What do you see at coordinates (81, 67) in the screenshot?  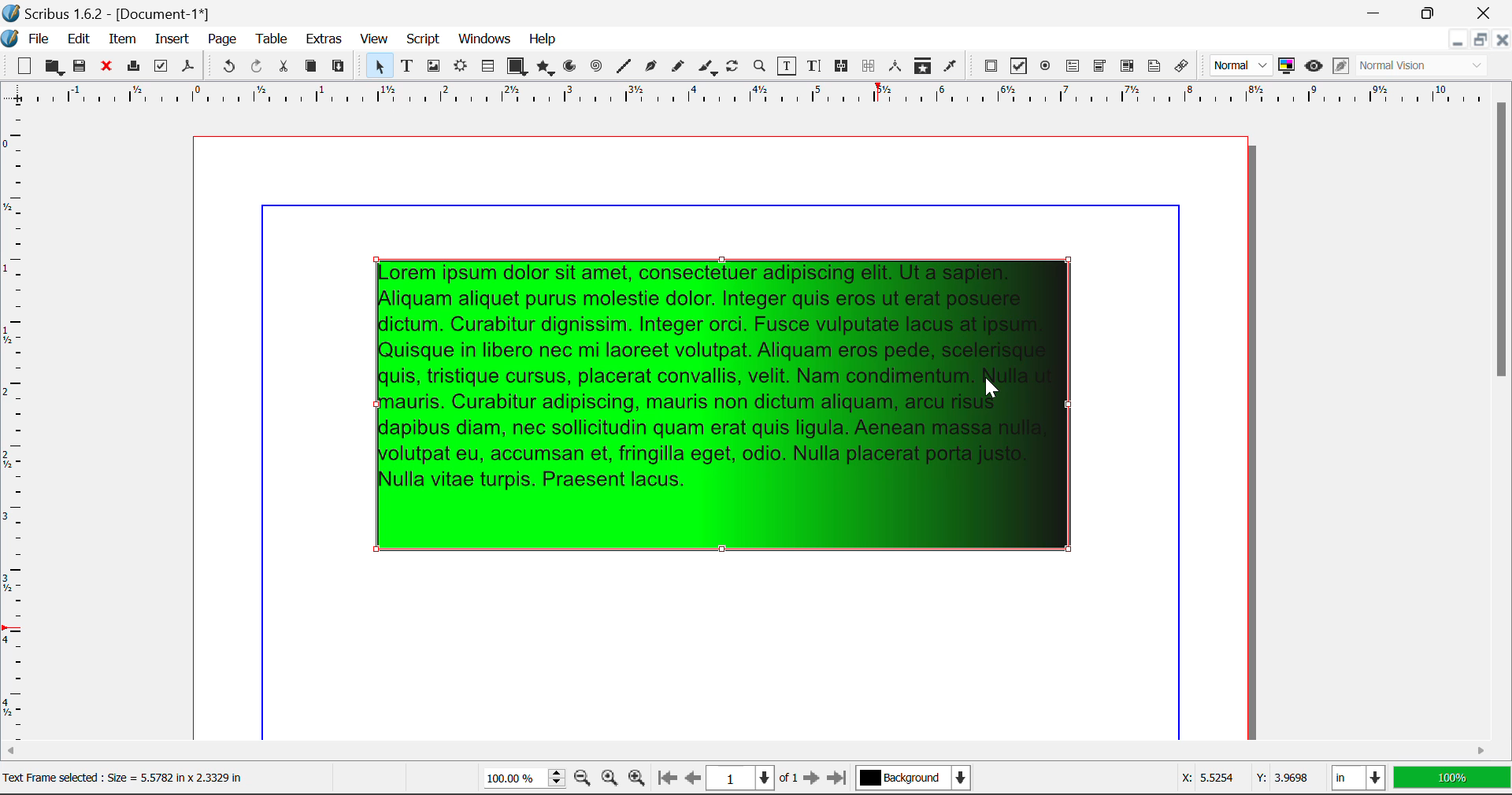 I see `Save` at bounding box center [81, 67].